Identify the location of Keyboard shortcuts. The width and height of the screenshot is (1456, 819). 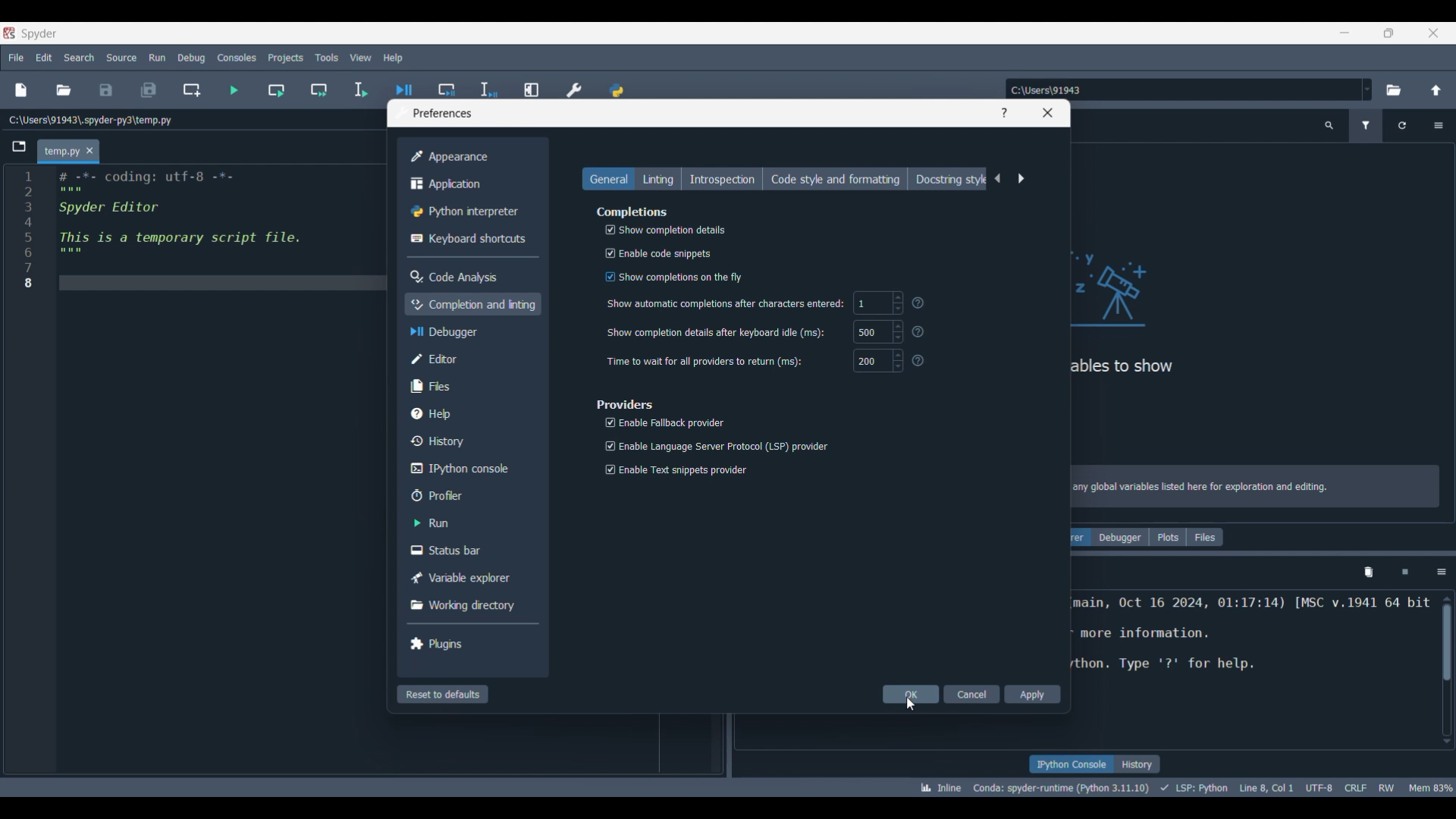
(469, 239).